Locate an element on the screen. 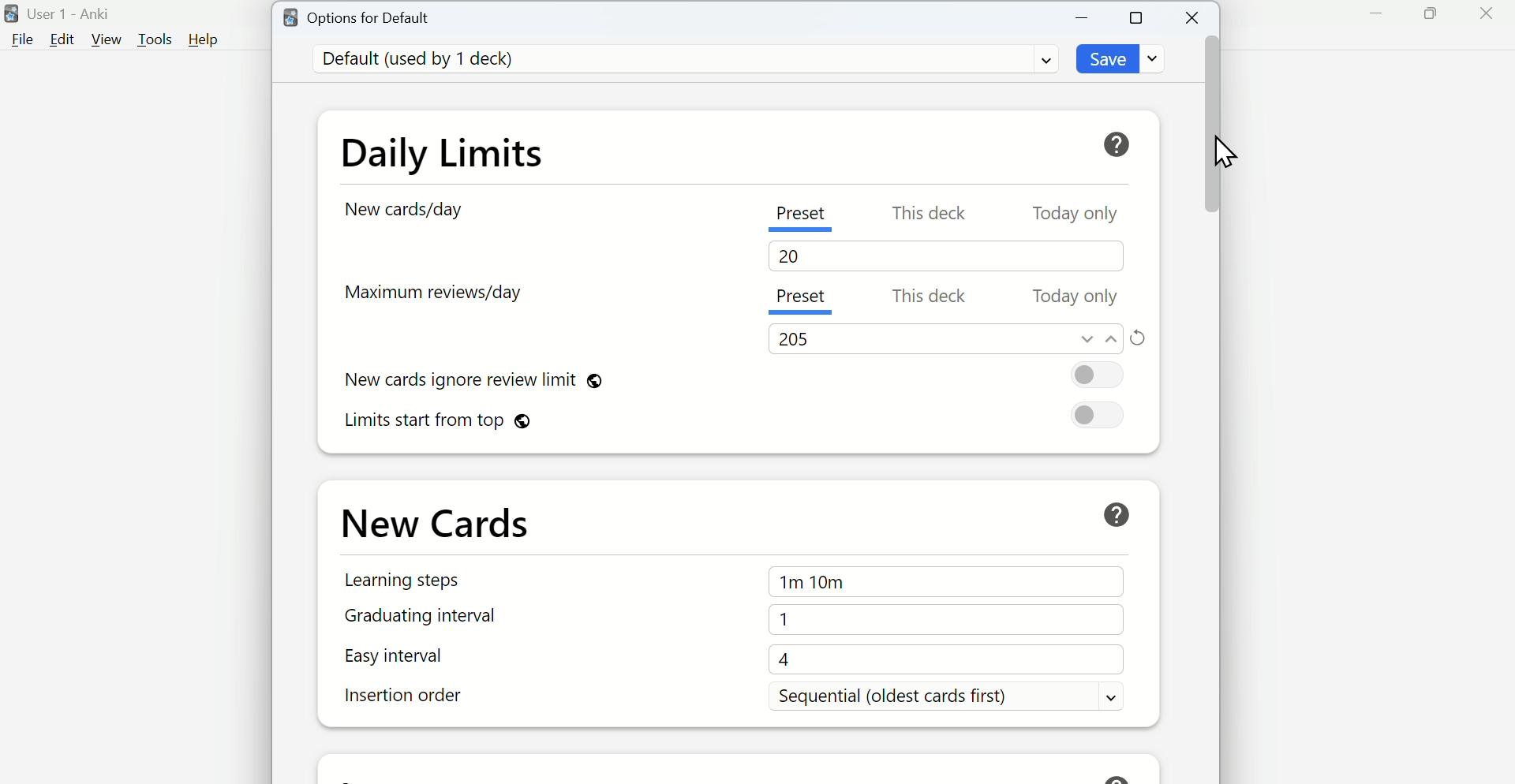 The height and width of the screenshot is (784, 1515). 4 is located at coordinates (947, 659).